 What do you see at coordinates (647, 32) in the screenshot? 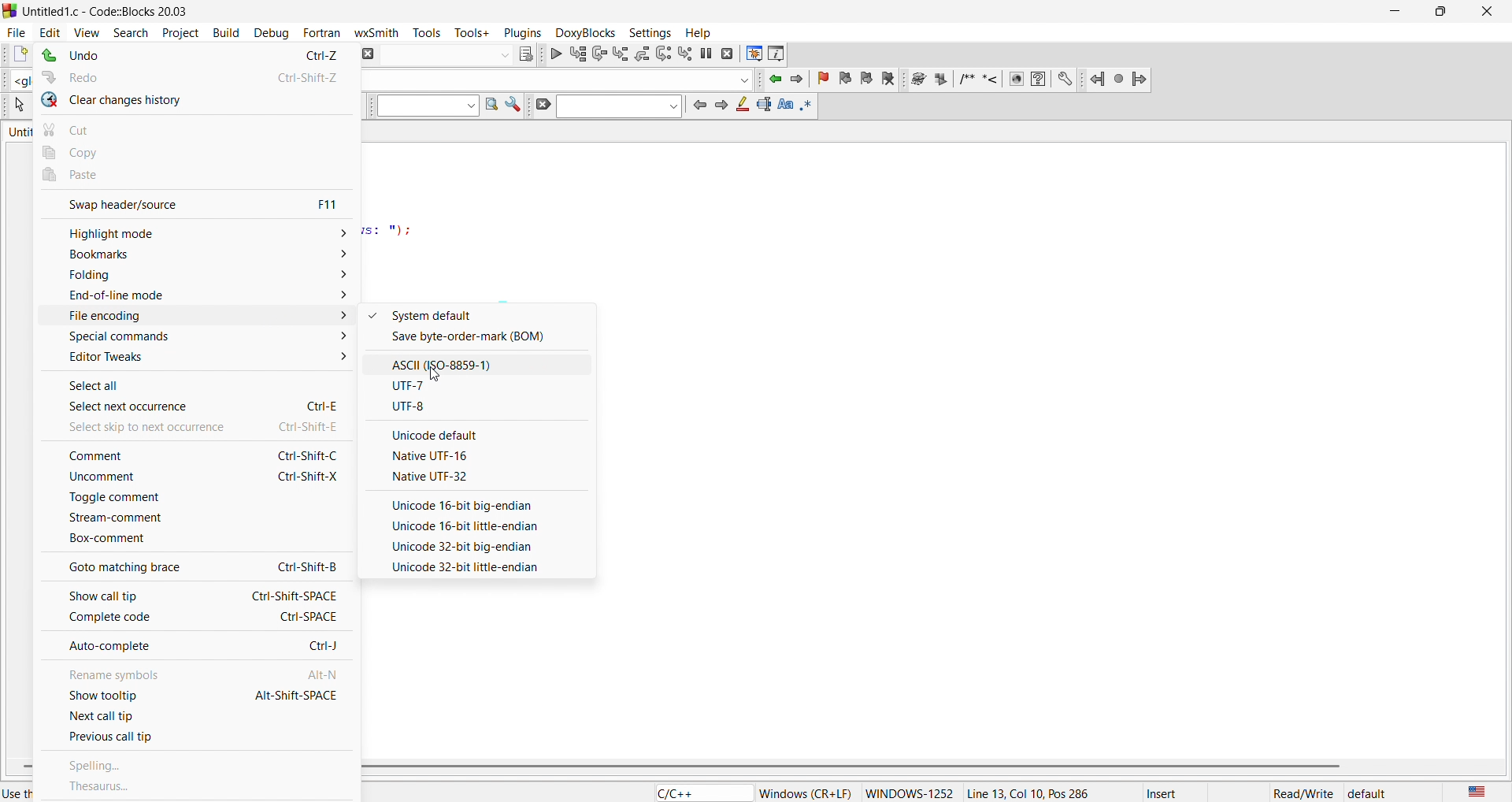
I see `settings` at bounding box center [647, 32].